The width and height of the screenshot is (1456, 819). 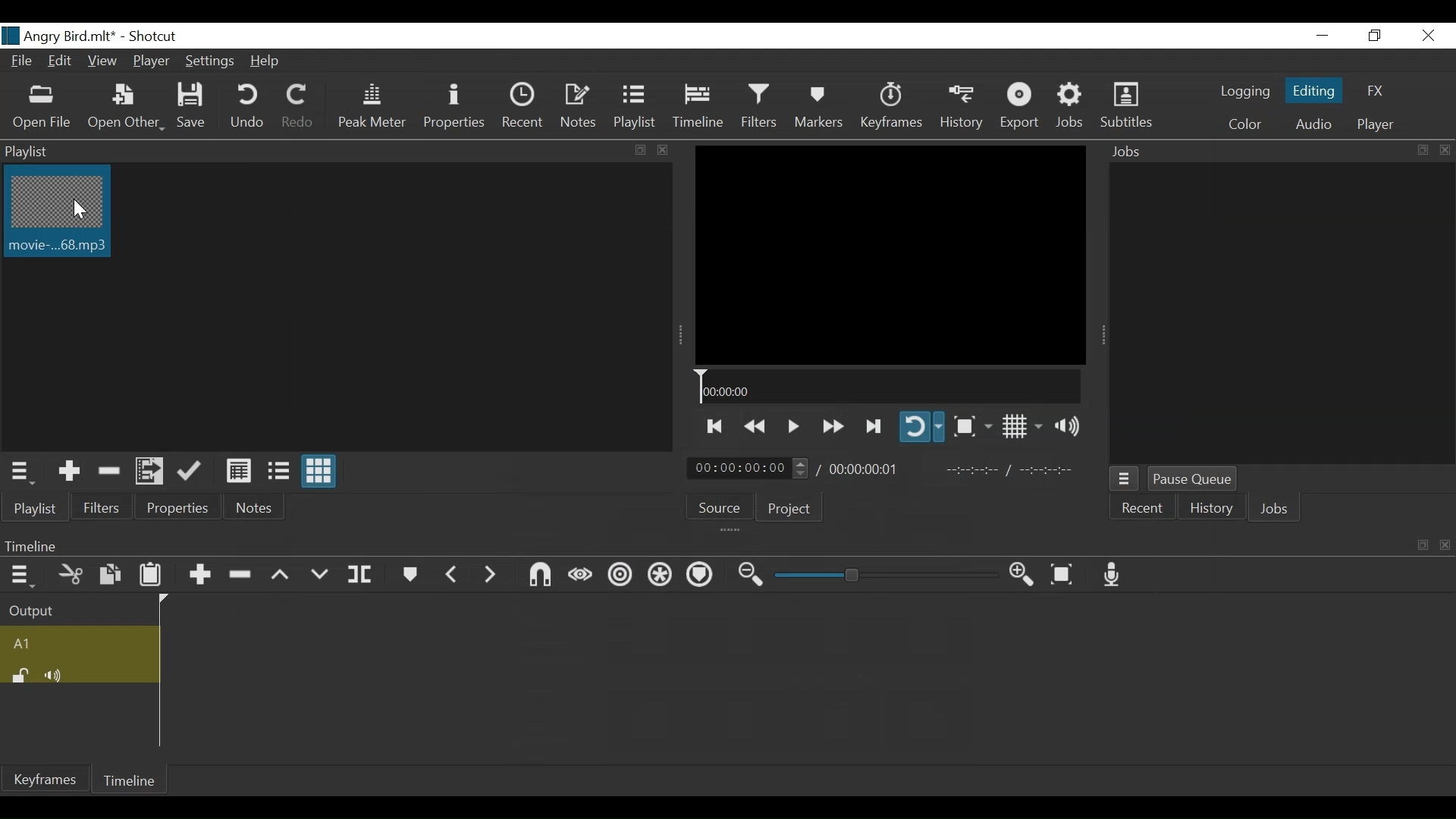 I want to click on Jobs Panel, so click(x=1278, y=312).